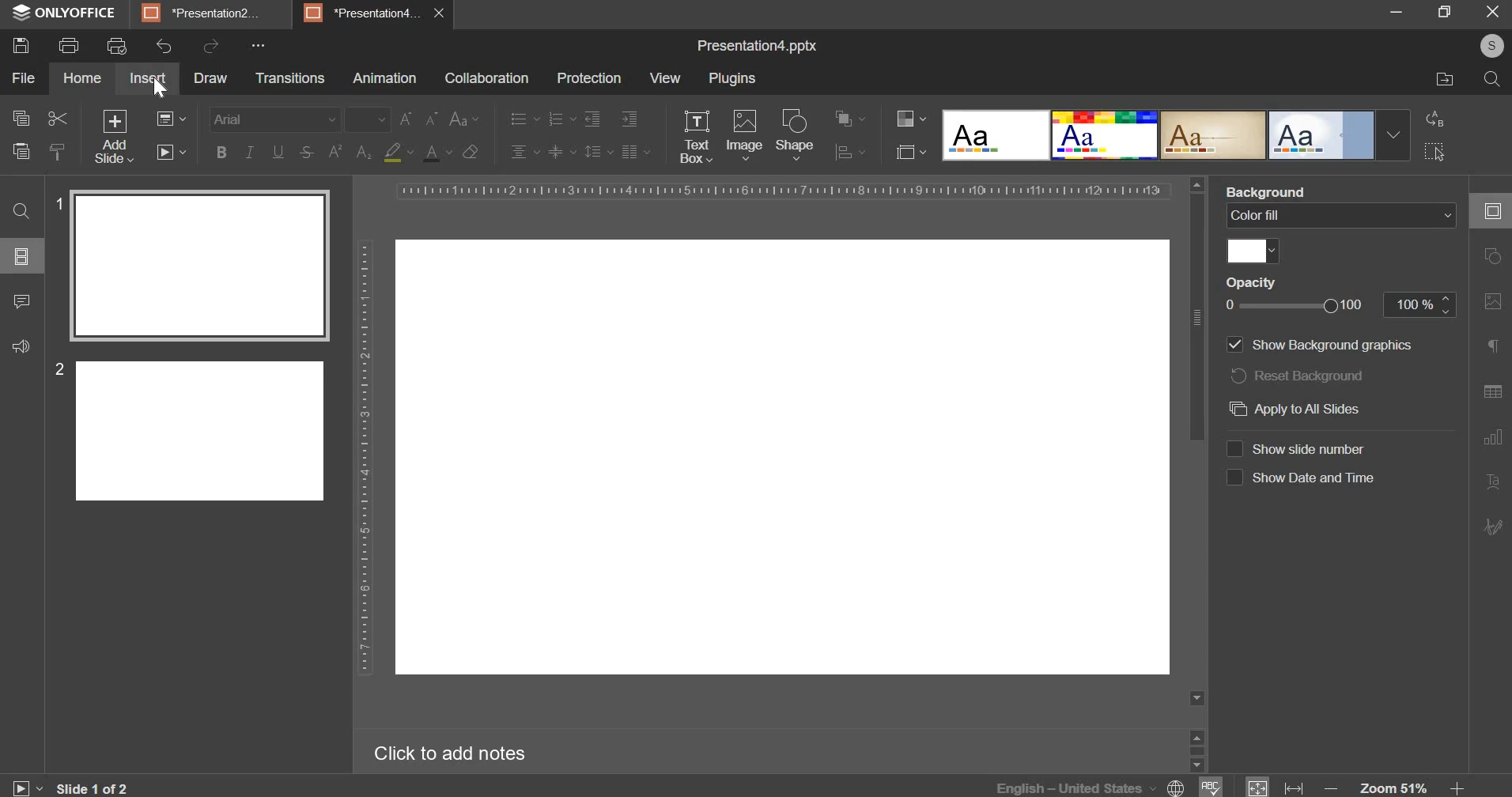 This screenshot has height=797, width=1512. Describe the element at coordinates (23, 308) in the screenshot. I see `comment` at that location.